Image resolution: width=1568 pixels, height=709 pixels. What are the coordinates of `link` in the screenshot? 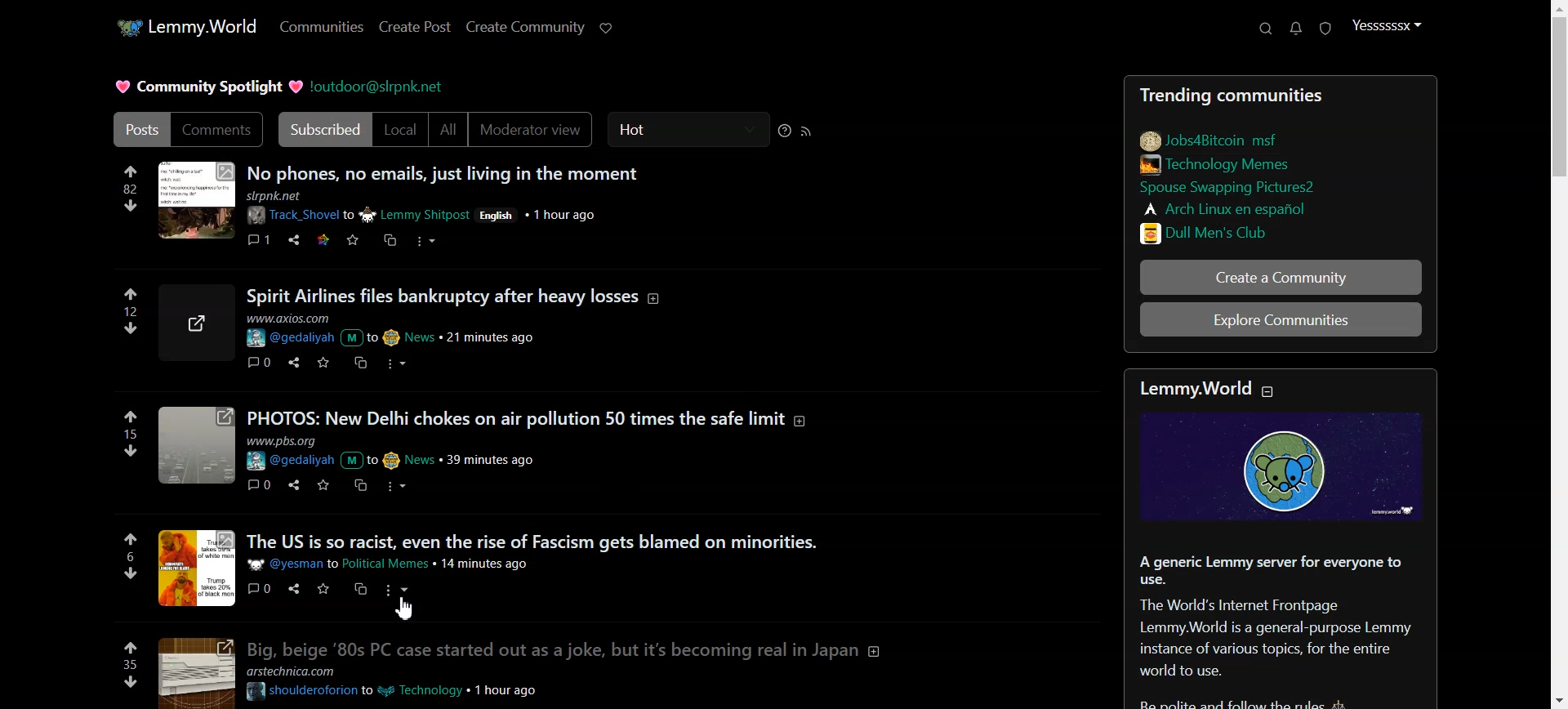 It's located at (321, 239).